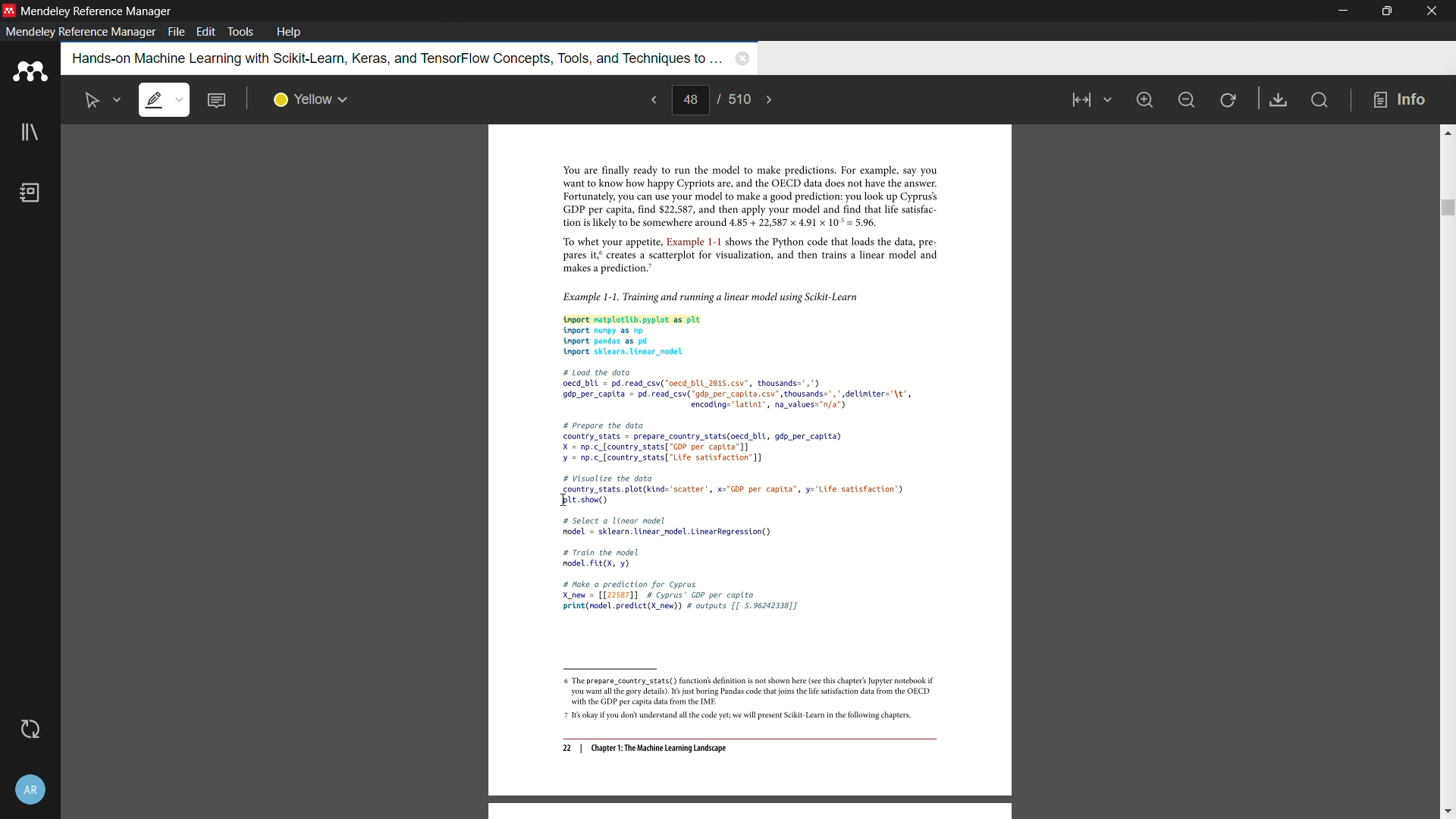 This screenshot has width=1456, height=819. I want to click on account and settings, so click(31, 791).